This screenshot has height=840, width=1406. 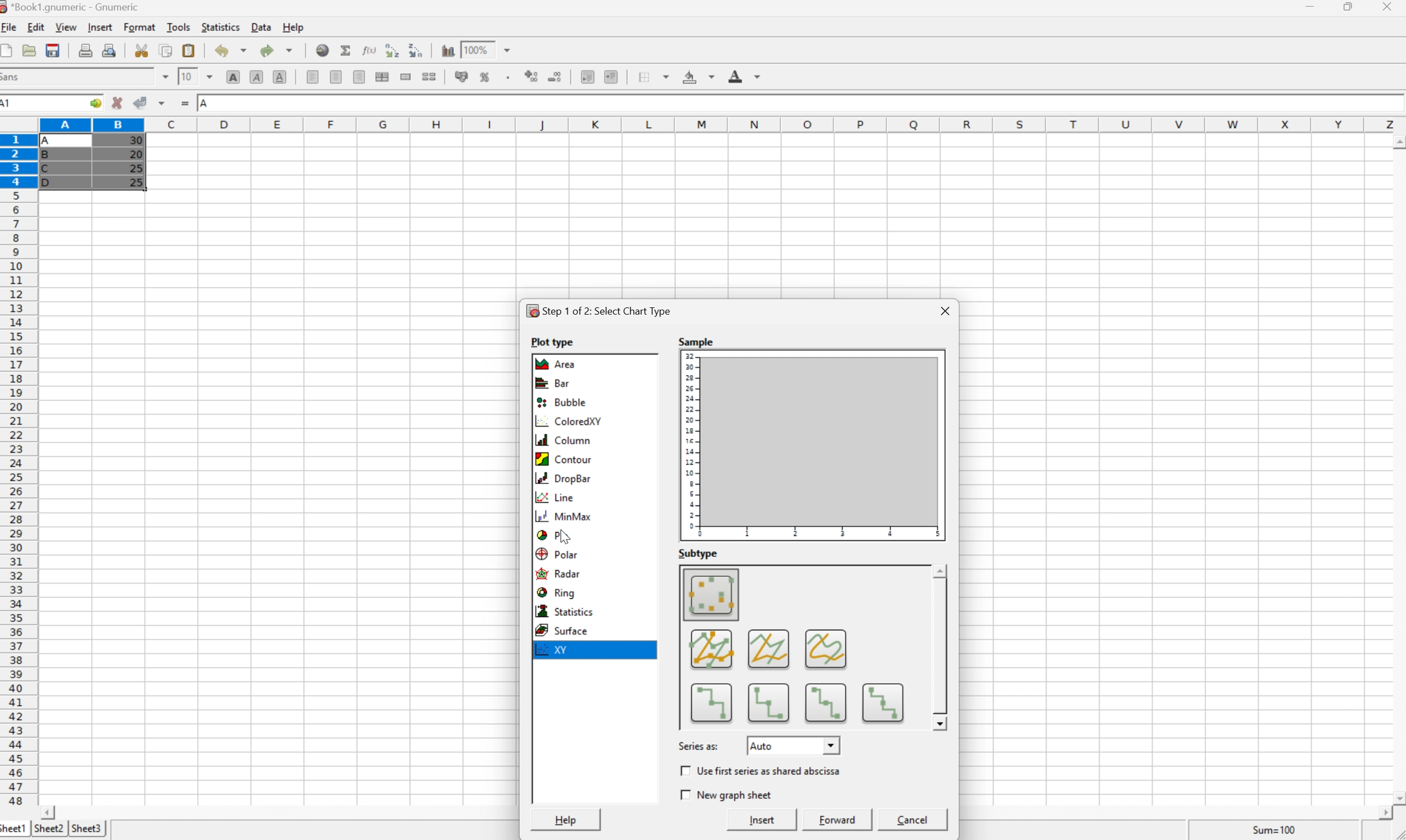 What do you see at coordinates (205, 104) in the screenshot?
I see `A` at bounding box center [205, 104].